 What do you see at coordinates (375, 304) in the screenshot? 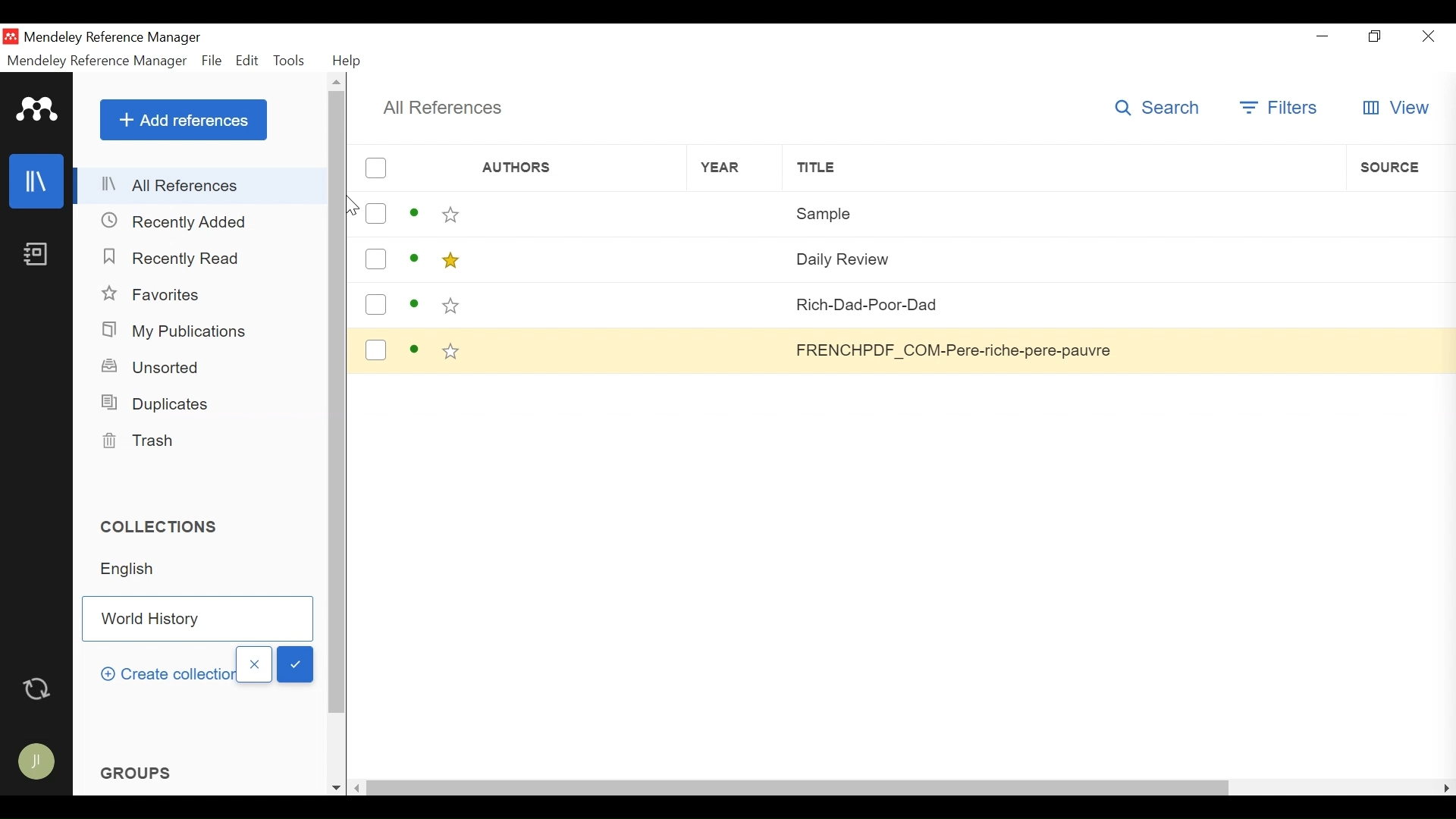
I see `(un)select` at bounding box center [375, 304].